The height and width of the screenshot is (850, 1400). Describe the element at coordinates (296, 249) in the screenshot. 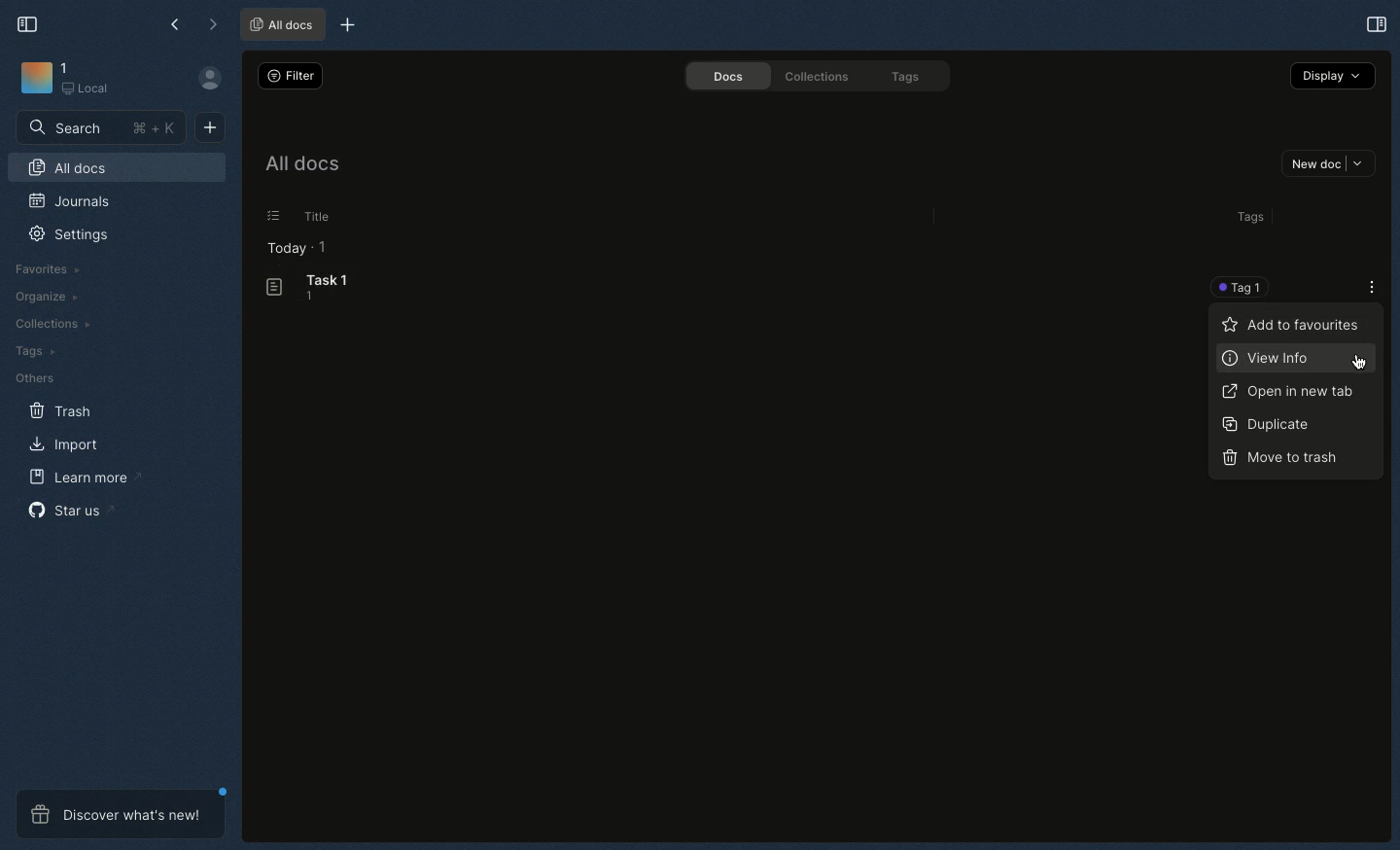

I see `Today 1` at that location.